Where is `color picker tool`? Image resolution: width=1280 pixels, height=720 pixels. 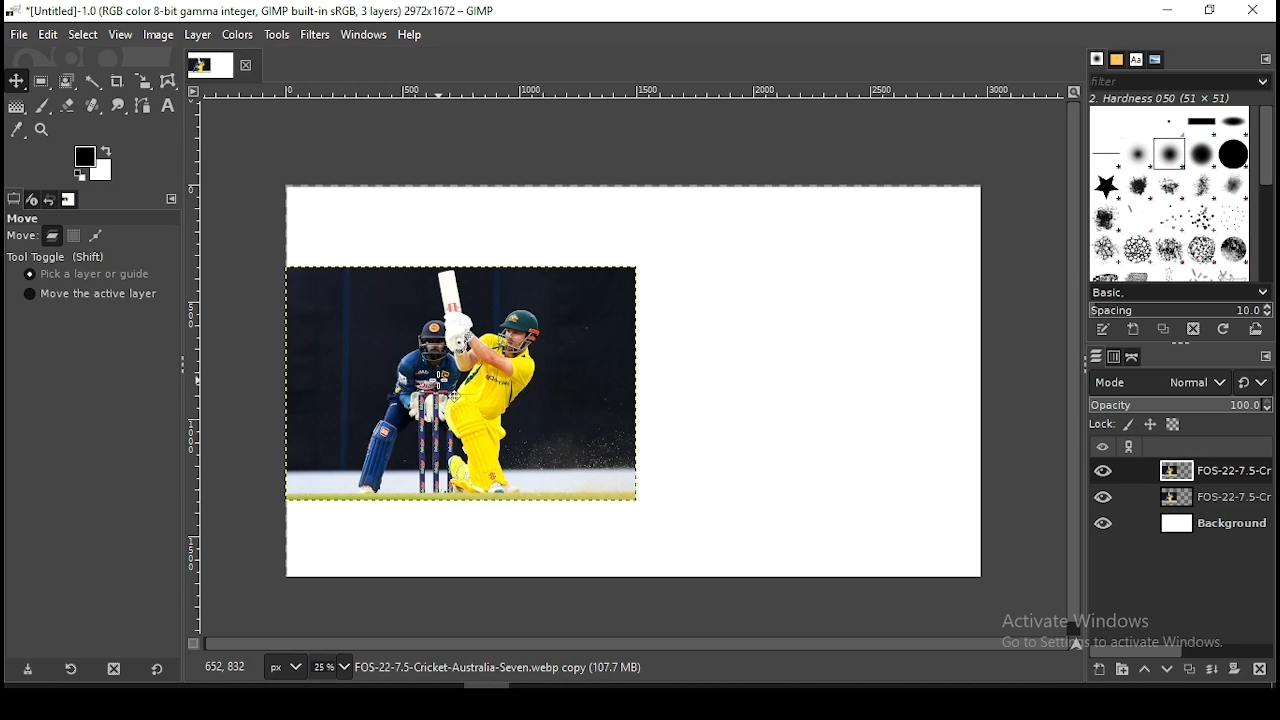 color picker tool is located at coordinates (17, 129).